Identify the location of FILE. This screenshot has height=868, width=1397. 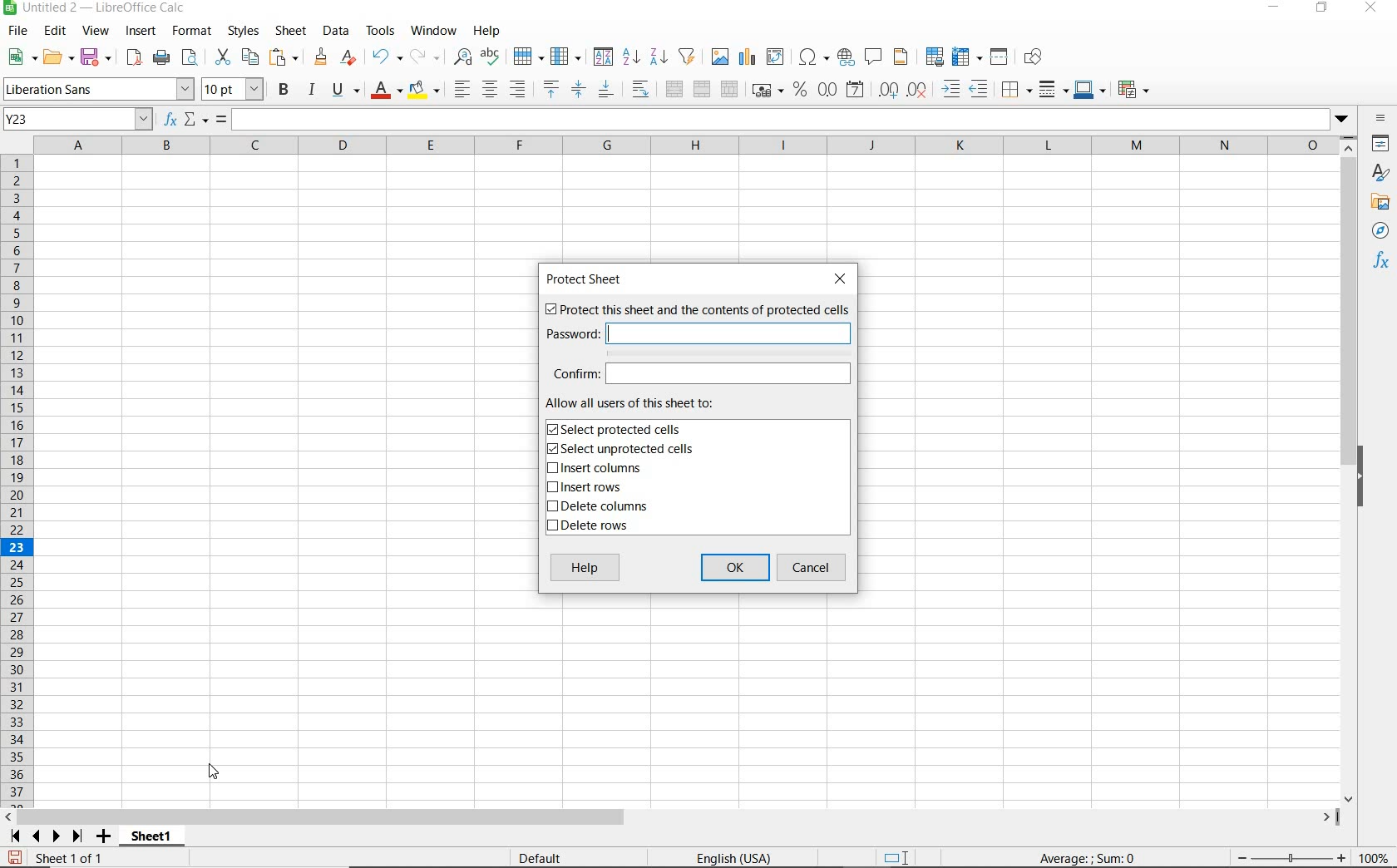
(16, 31).